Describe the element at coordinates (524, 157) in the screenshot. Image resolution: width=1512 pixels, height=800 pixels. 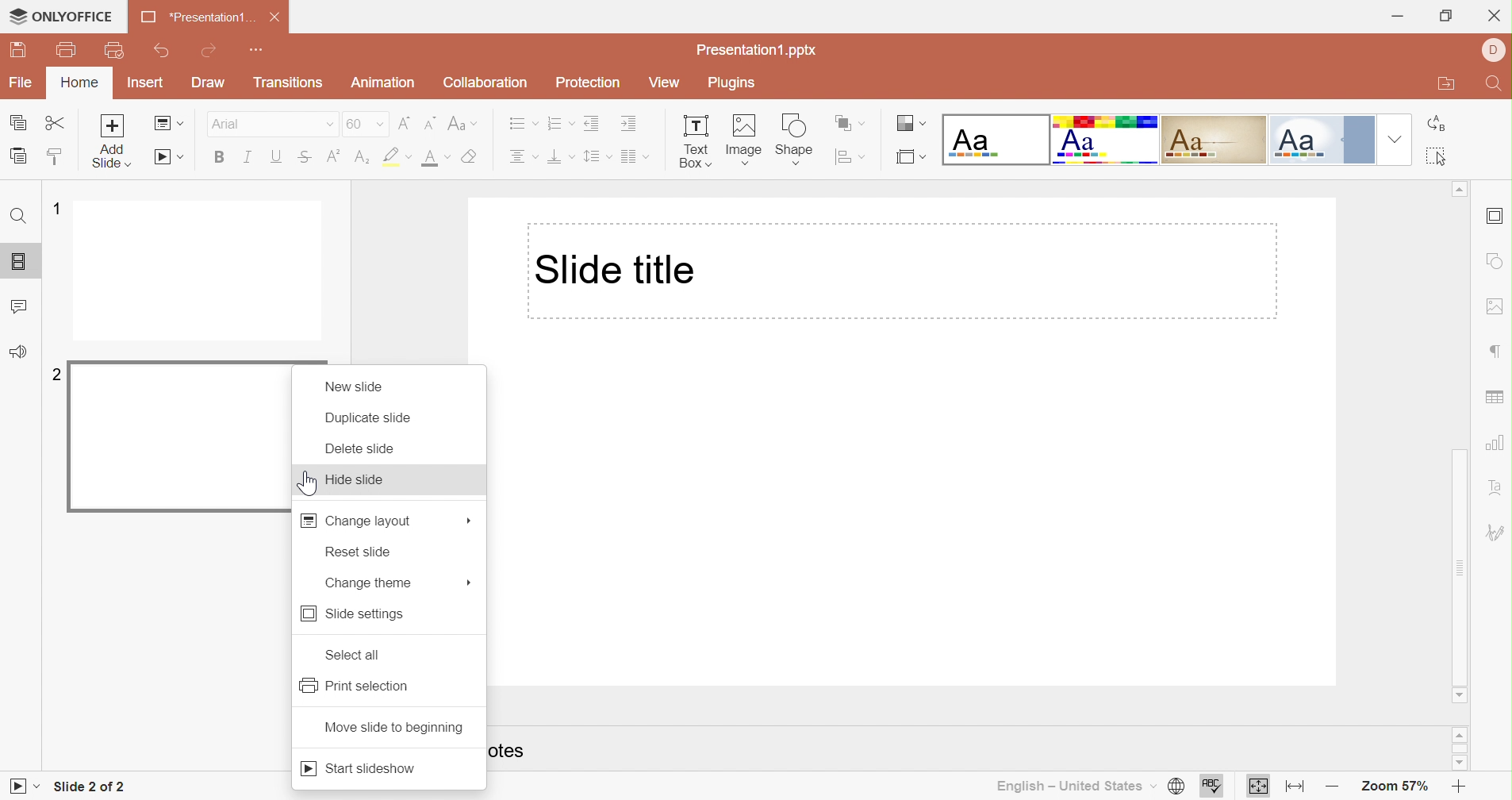
I see `Align center` at that location.